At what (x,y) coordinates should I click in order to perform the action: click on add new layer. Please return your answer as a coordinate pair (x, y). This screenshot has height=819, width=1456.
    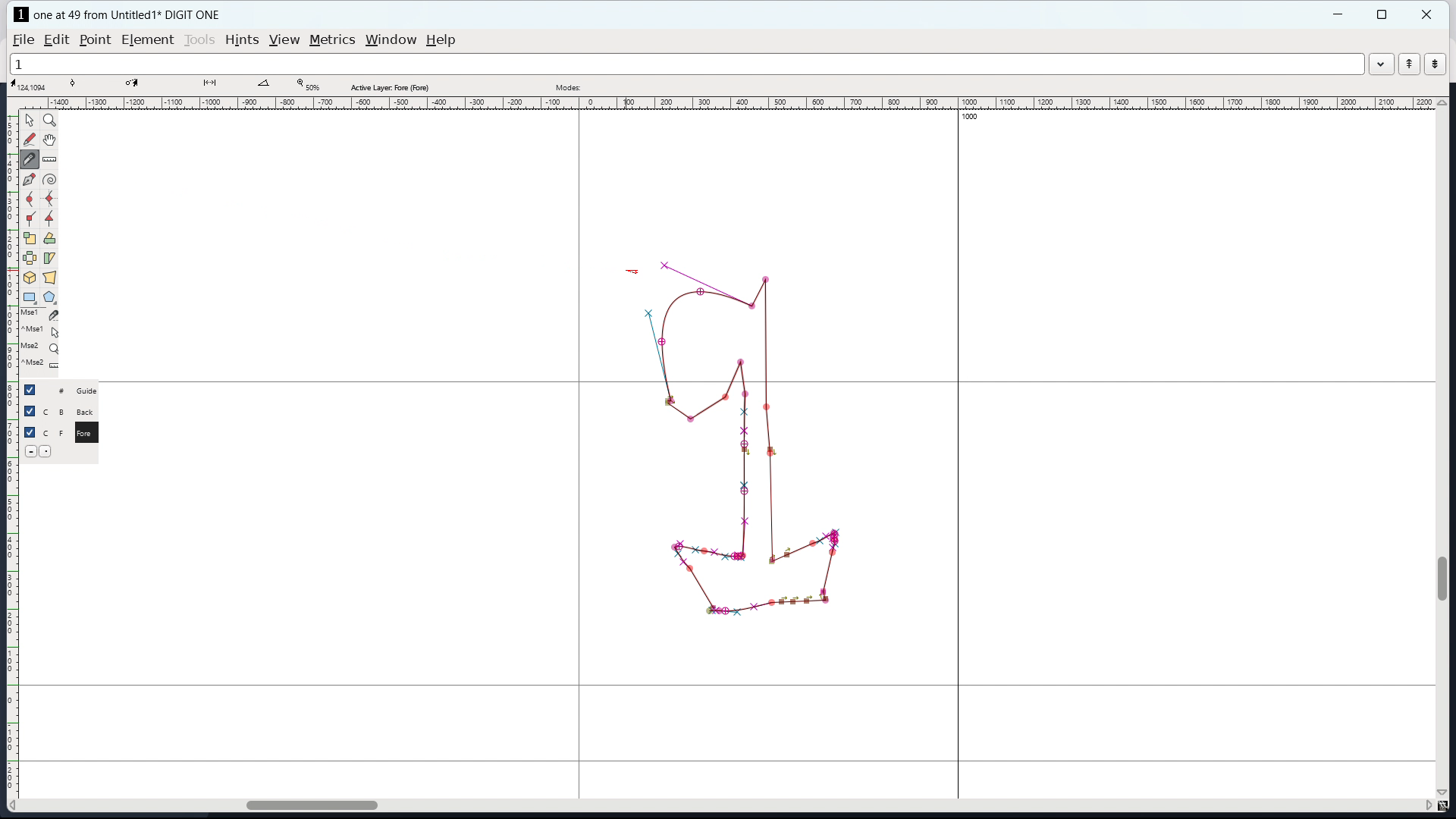
    Looking at the image, I should click on (48, 450).